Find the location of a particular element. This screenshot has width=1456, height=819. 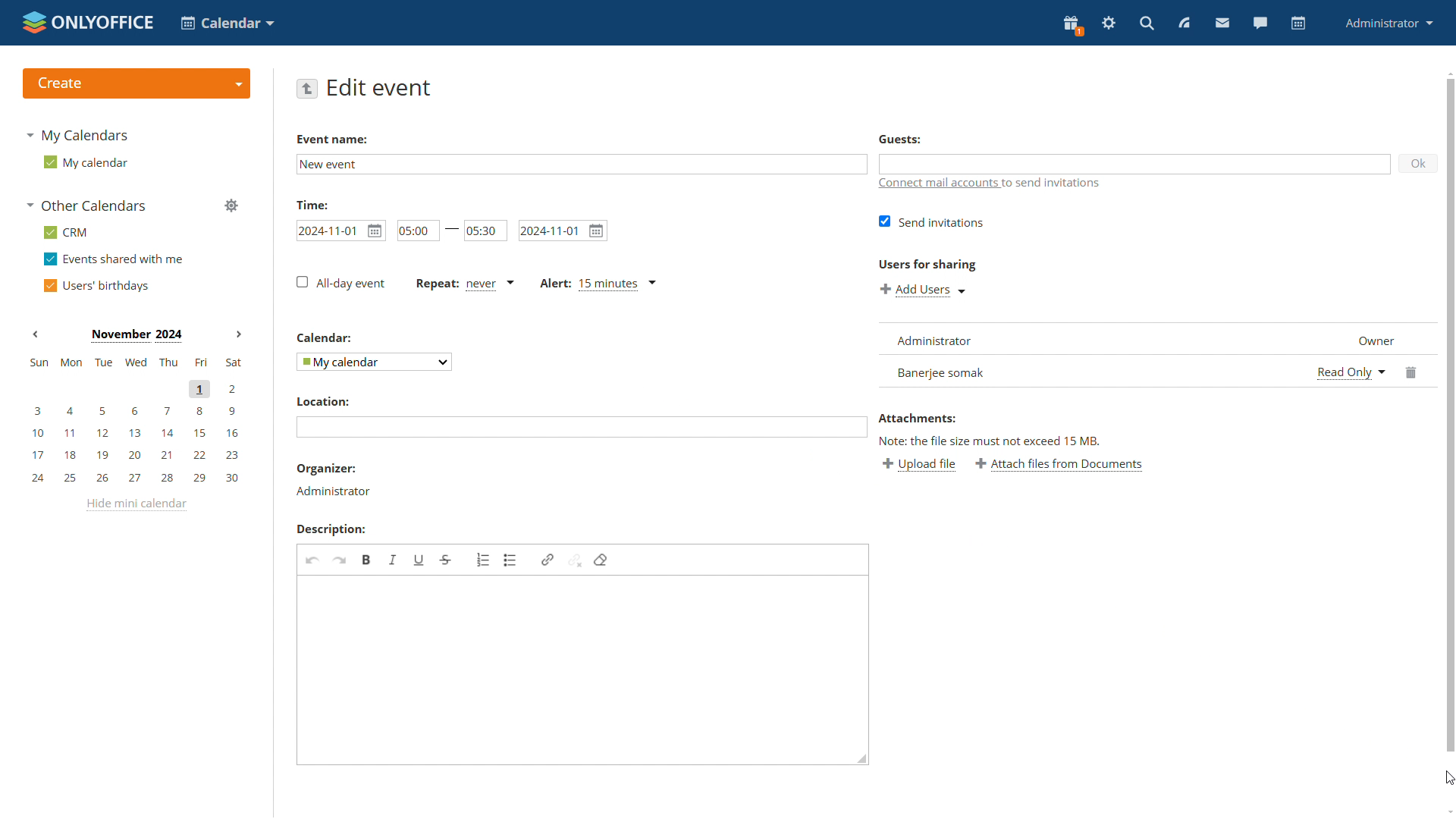

scroll down is located at coordinates (1447, 810).